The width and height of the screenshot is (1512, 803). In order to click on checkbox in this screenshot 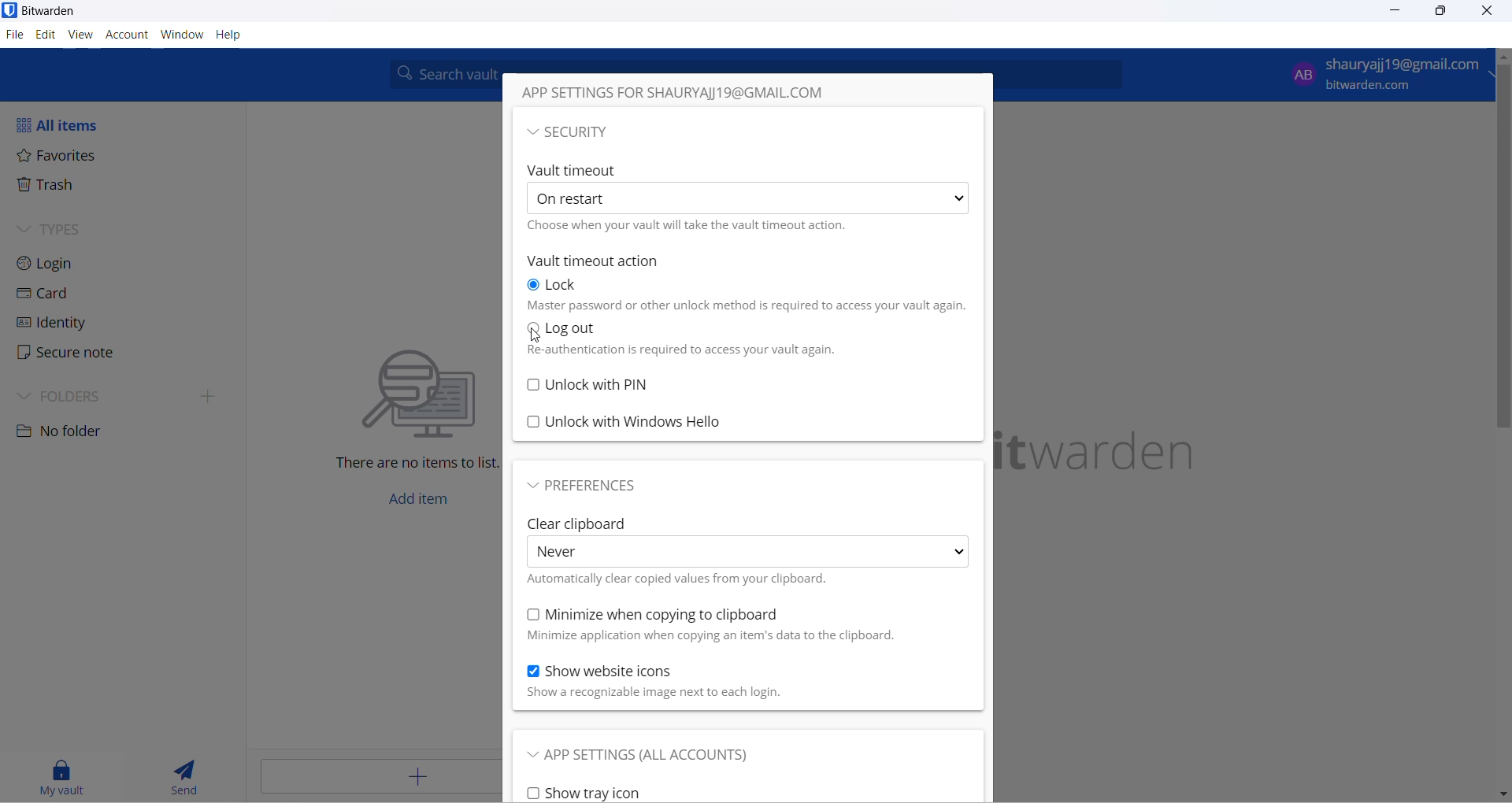, I will do `click(681, 579)`.